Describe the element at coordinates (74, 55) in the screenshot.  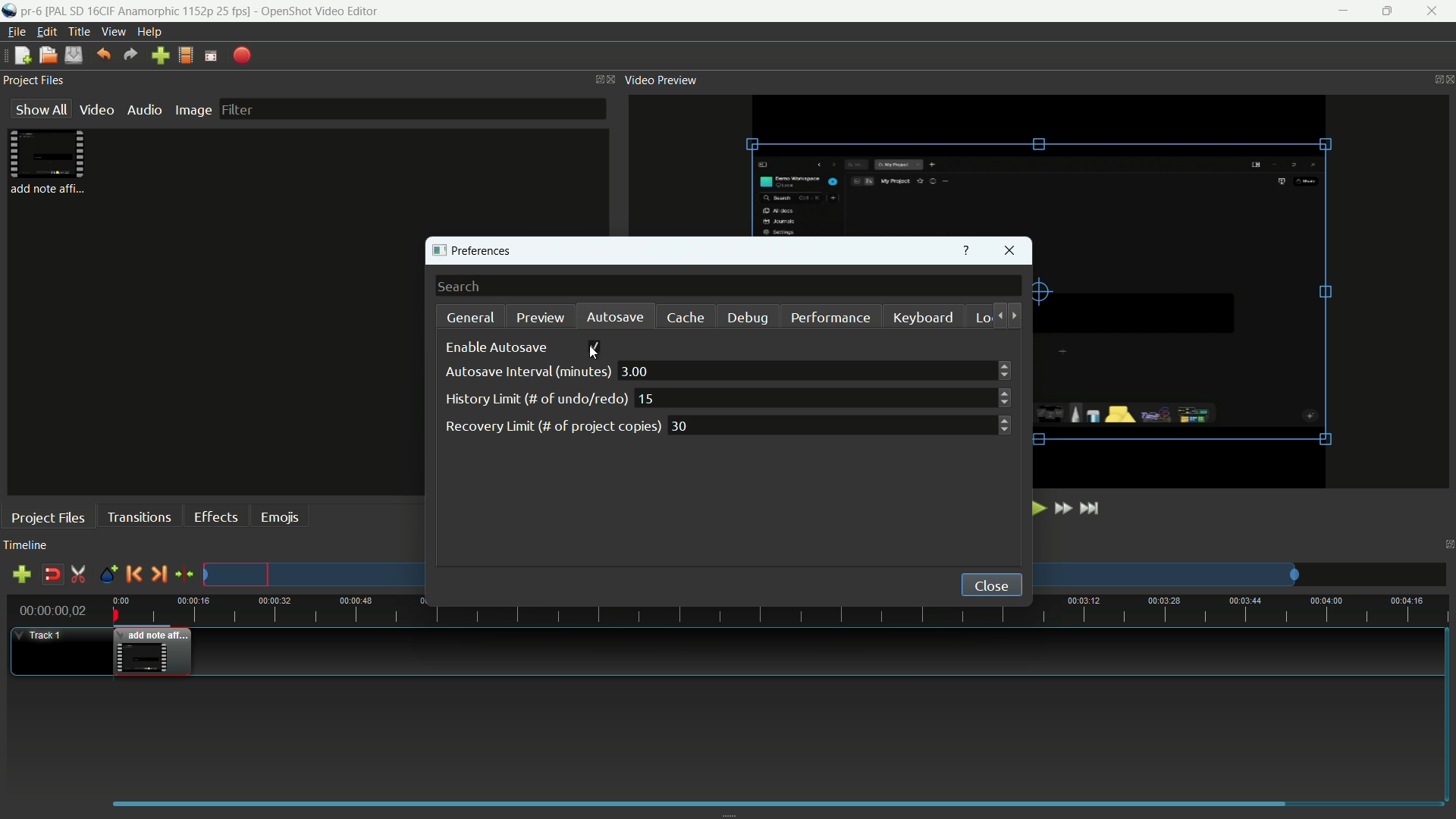
I see `save file` at that location.